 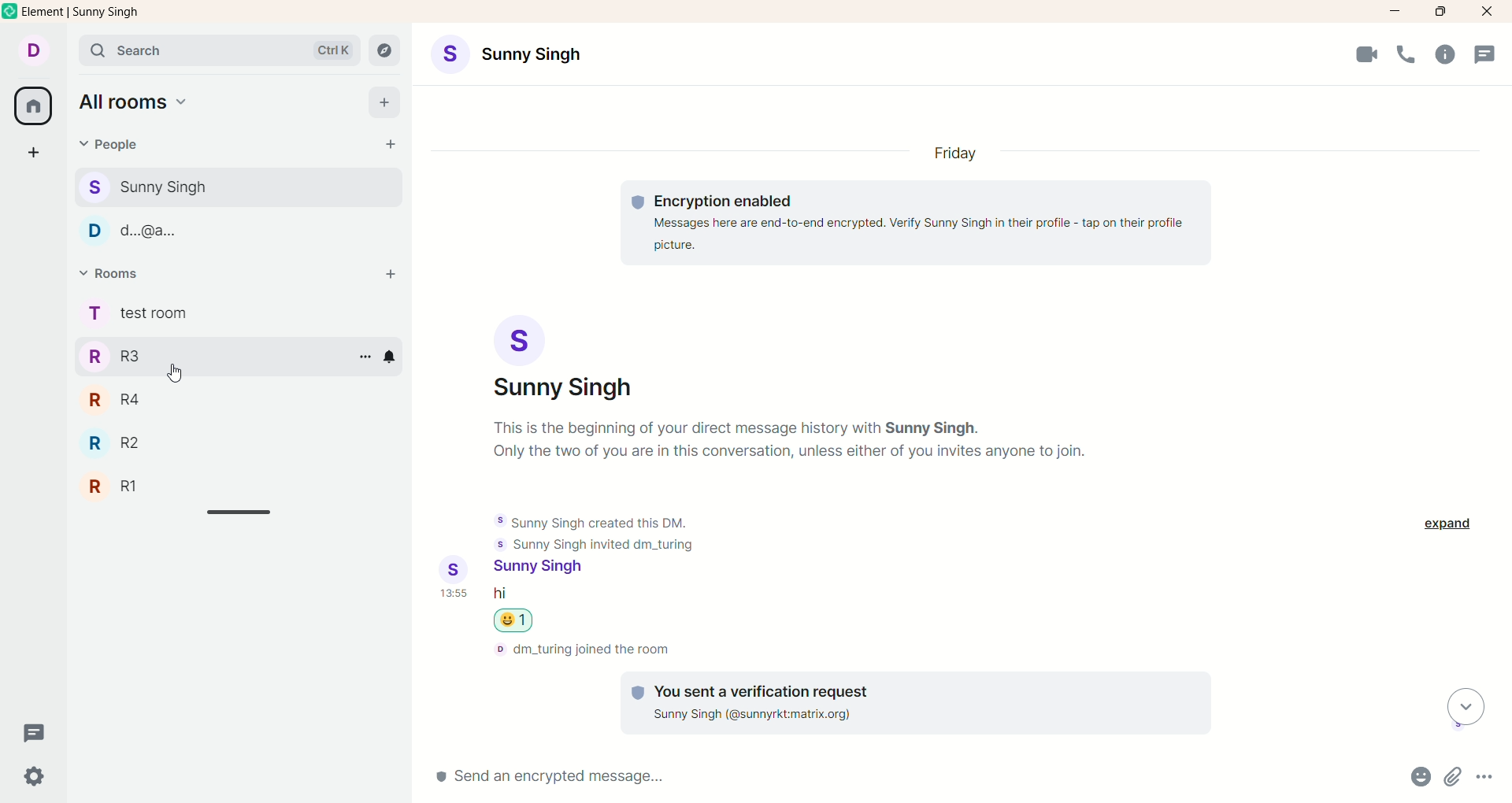 What do you see at coordinates (129, 487) in the screenshot?
I see `R1` at bounding box center [129, 487].